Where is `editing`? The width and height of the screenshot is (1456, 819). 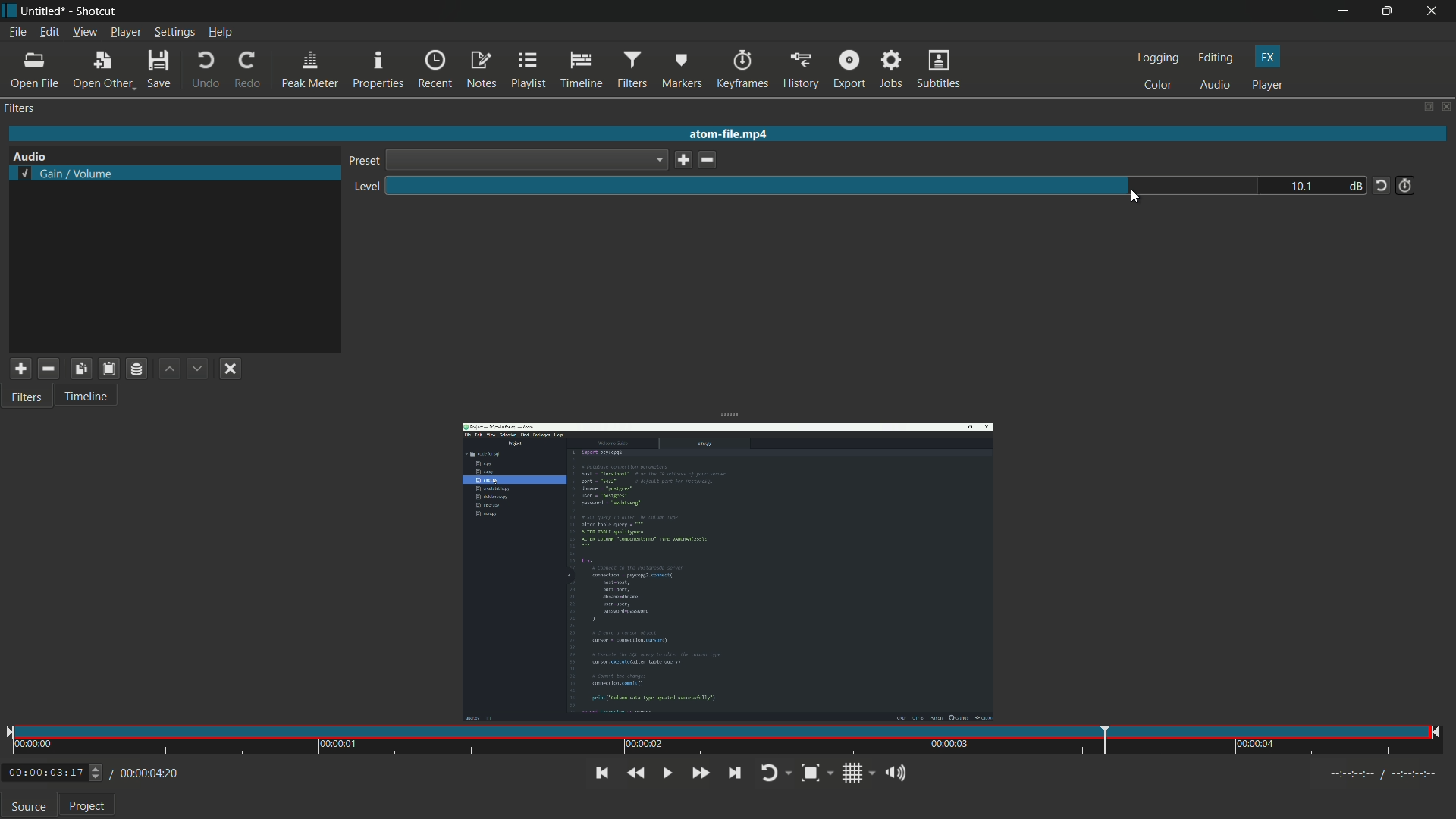 editing is located at coordinates (1216, 58).